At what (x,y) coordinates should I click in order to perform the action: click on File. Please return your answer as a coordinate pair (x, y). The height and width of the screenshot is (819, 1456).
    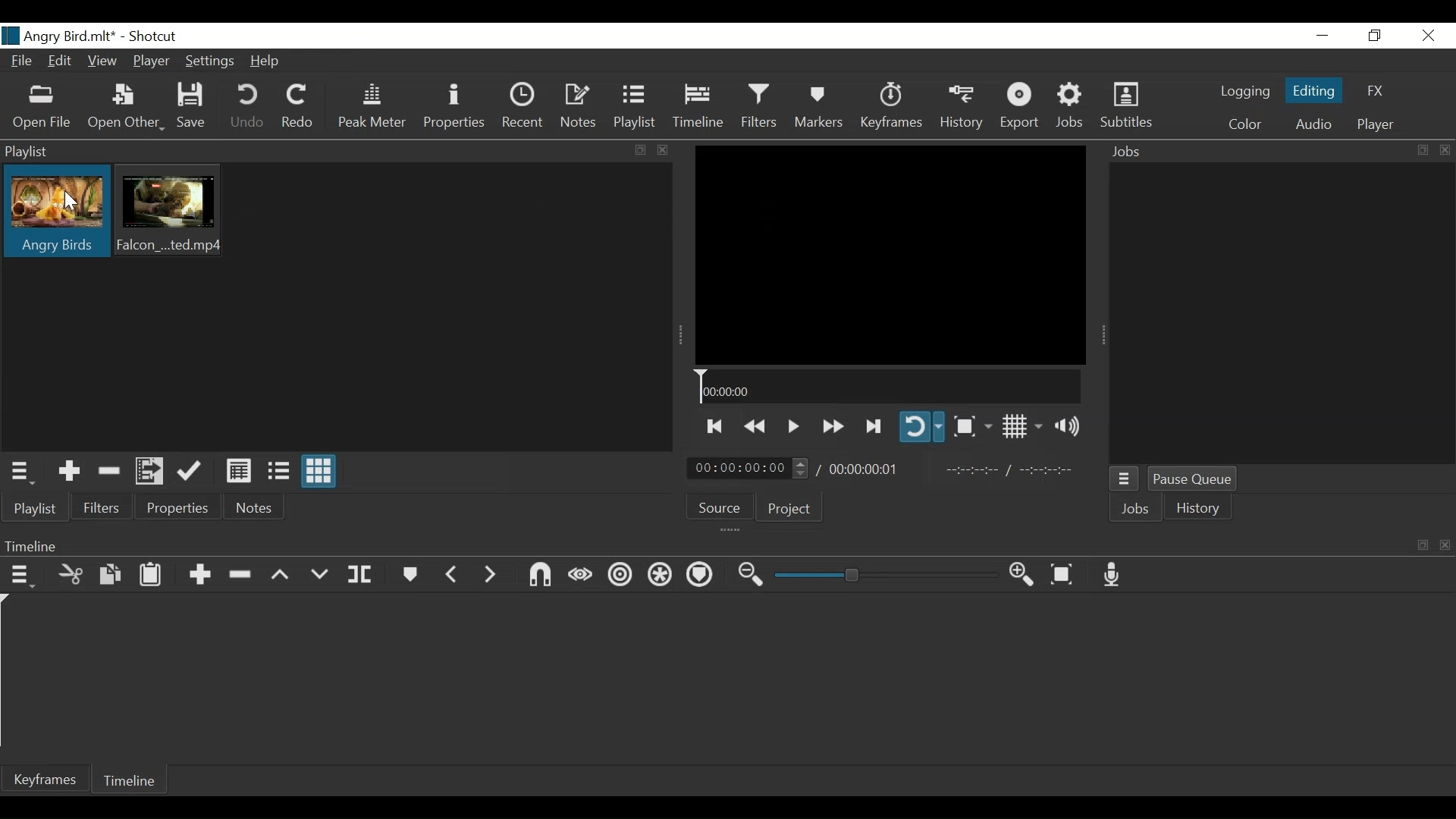
    Looking at the image, I should click on (25, 62).